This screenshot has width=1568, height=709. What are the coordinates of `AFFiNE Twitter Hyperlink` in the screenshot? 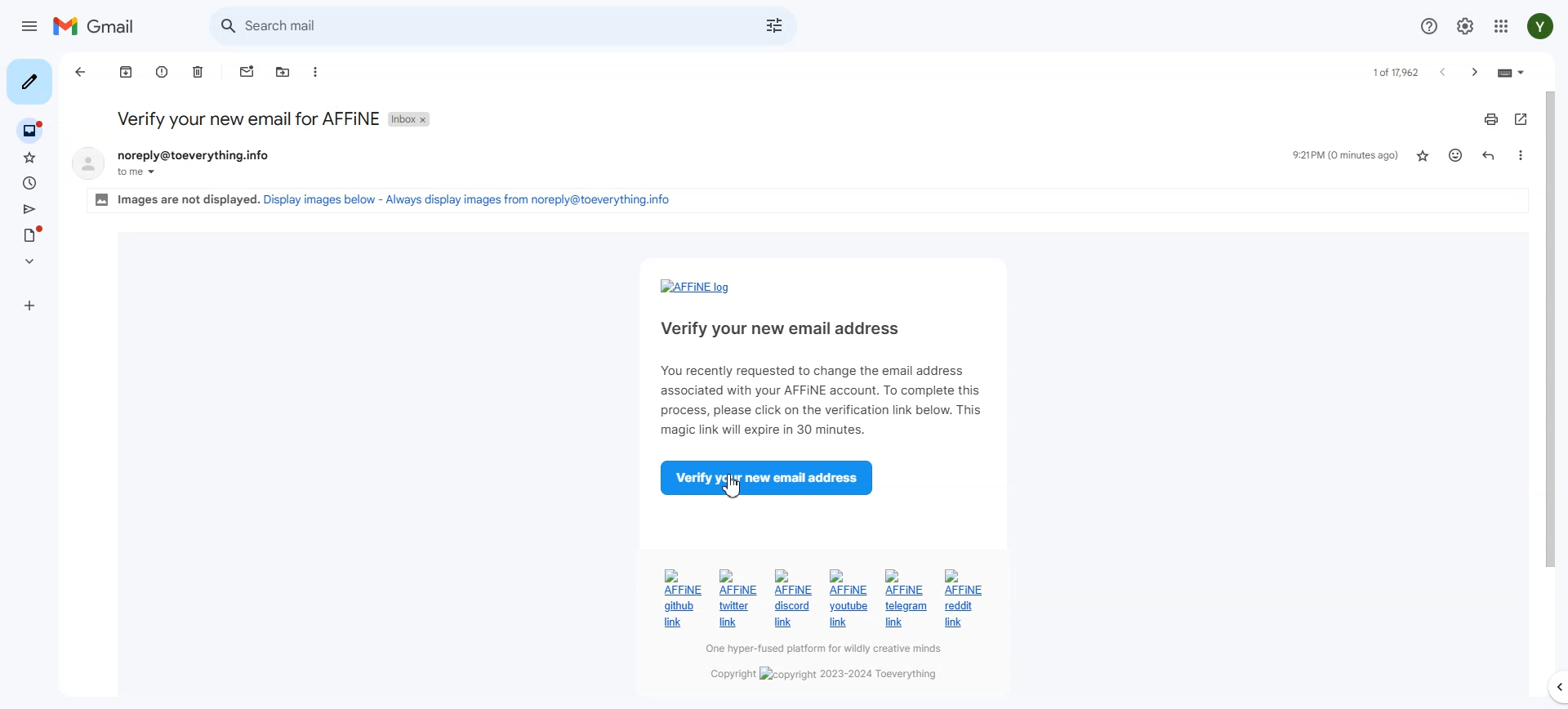 It's located at (736, 598).